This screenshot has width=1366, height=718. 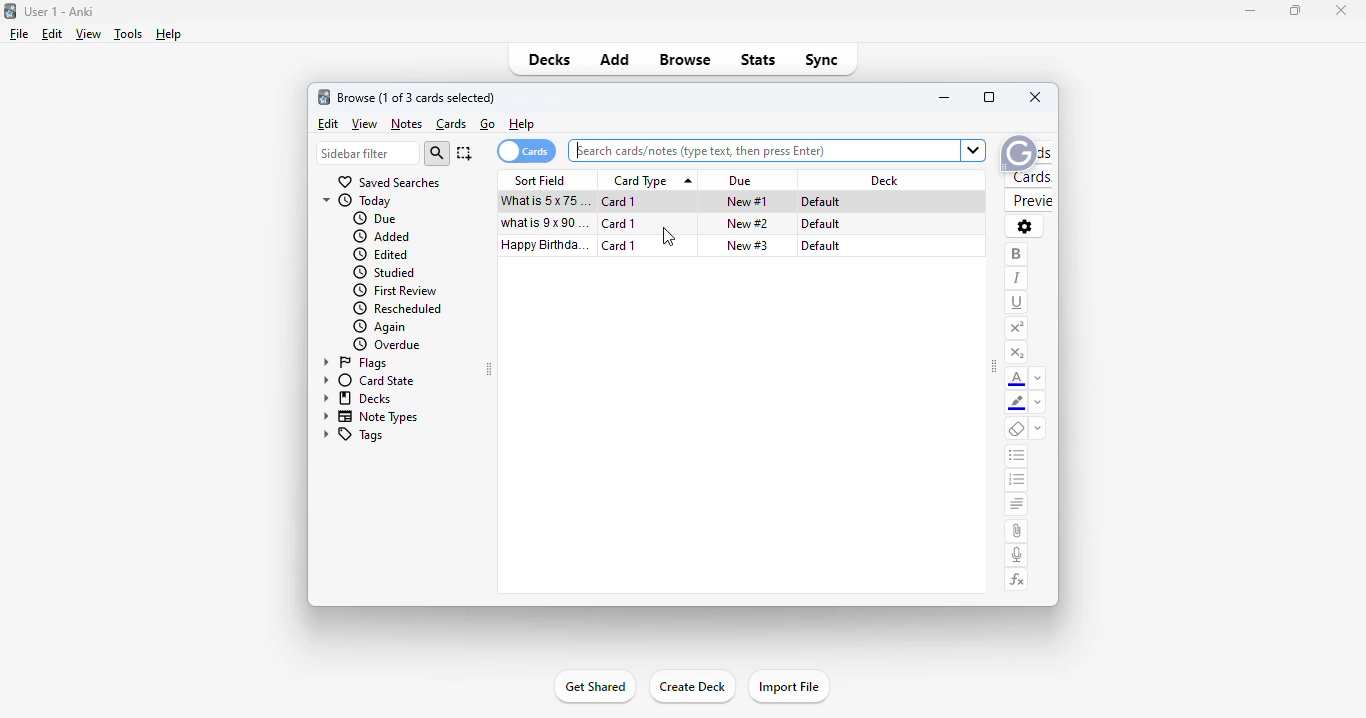 I want to click on toggle sidebar, so click(x=994, y=366).